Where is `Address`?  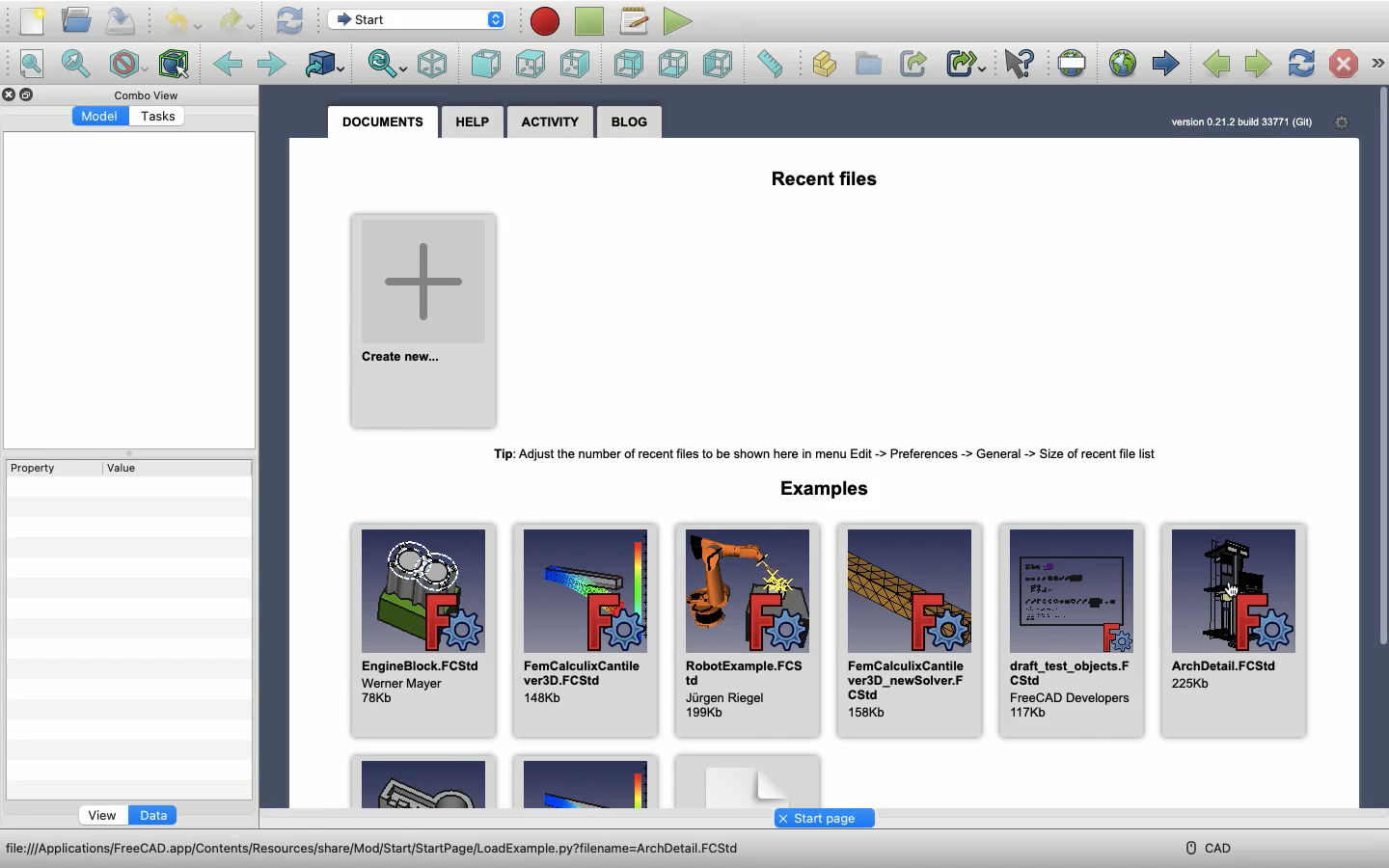
Address is located at coordinates (392, 848).